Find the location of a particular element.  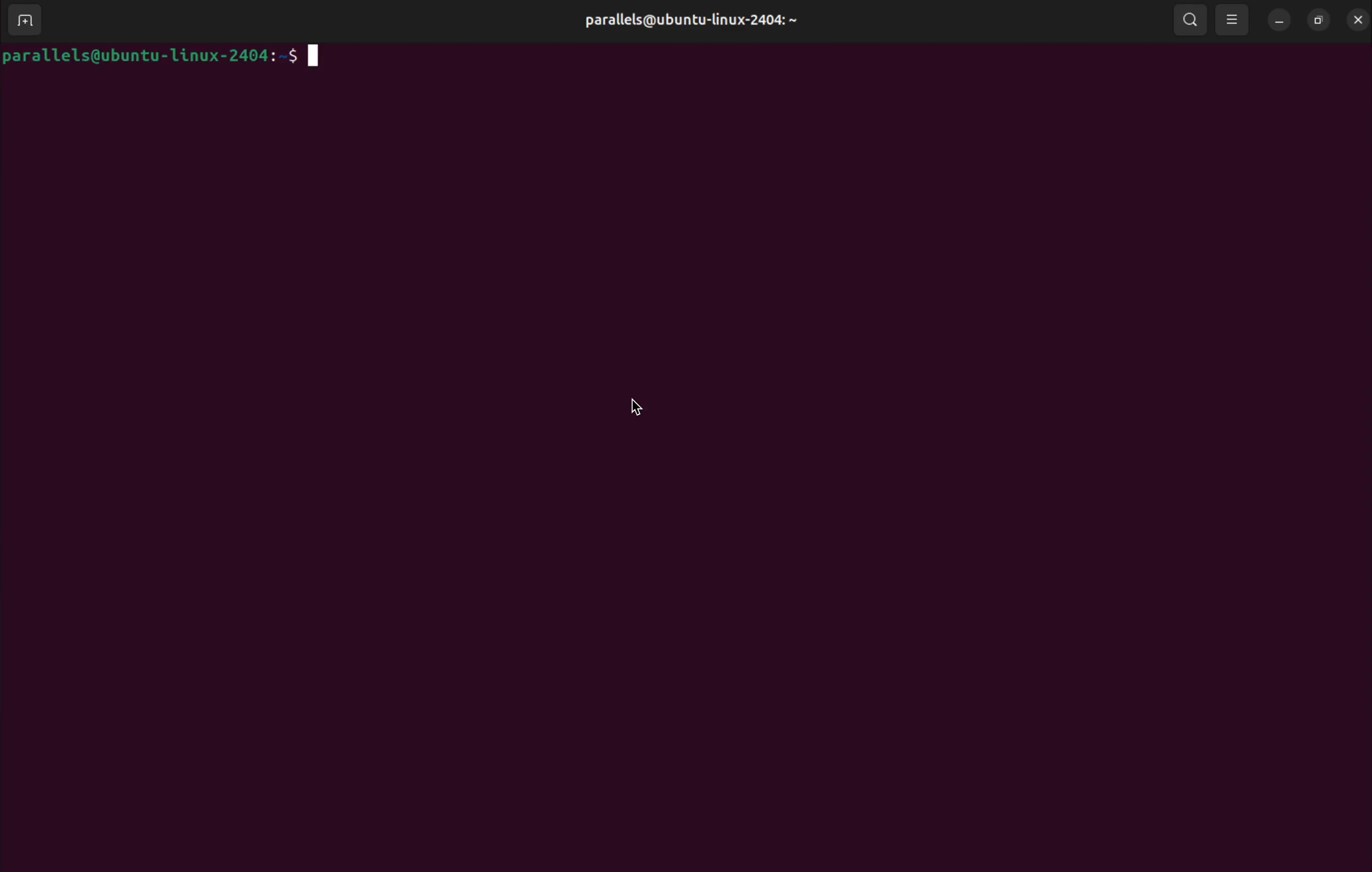

add terminal window is located at coordinates (23, 18).